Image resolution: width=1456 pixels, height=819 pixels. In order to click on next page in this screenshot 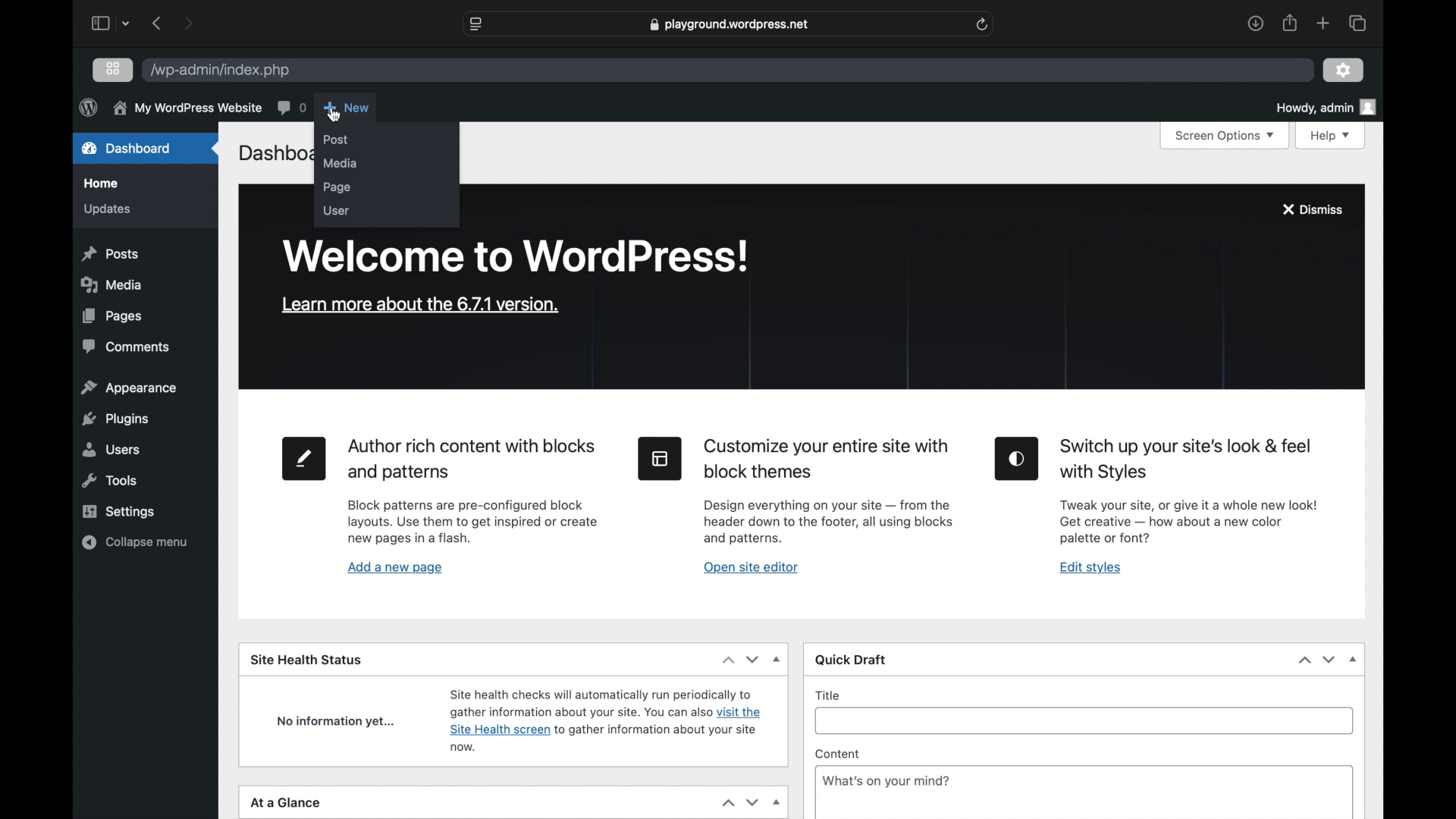, I will do `click(189, 24)`.